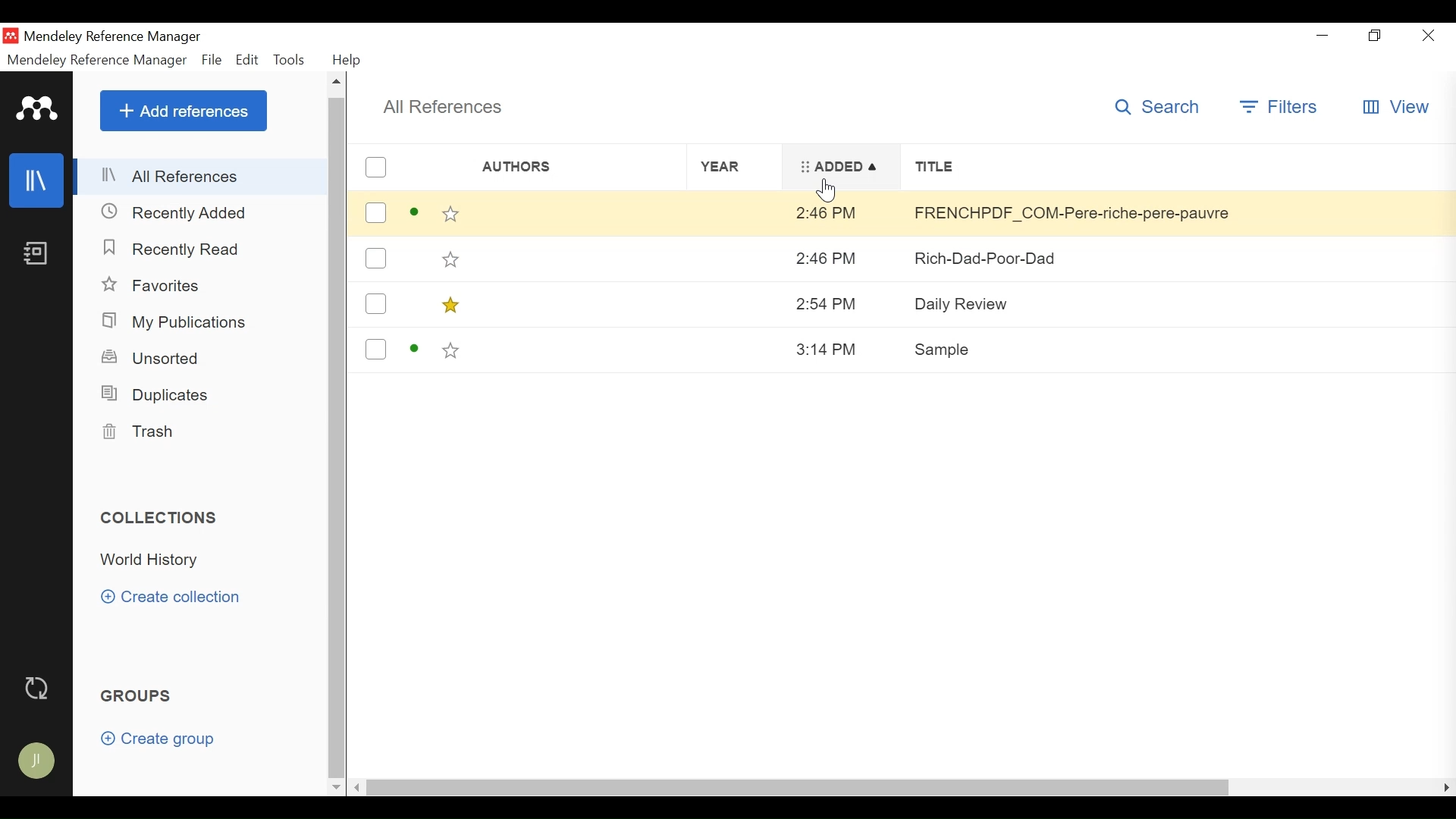 The width and height of the screenshot is (1456, 819). I want to click on Toggle Favorites, so click(450, 350).